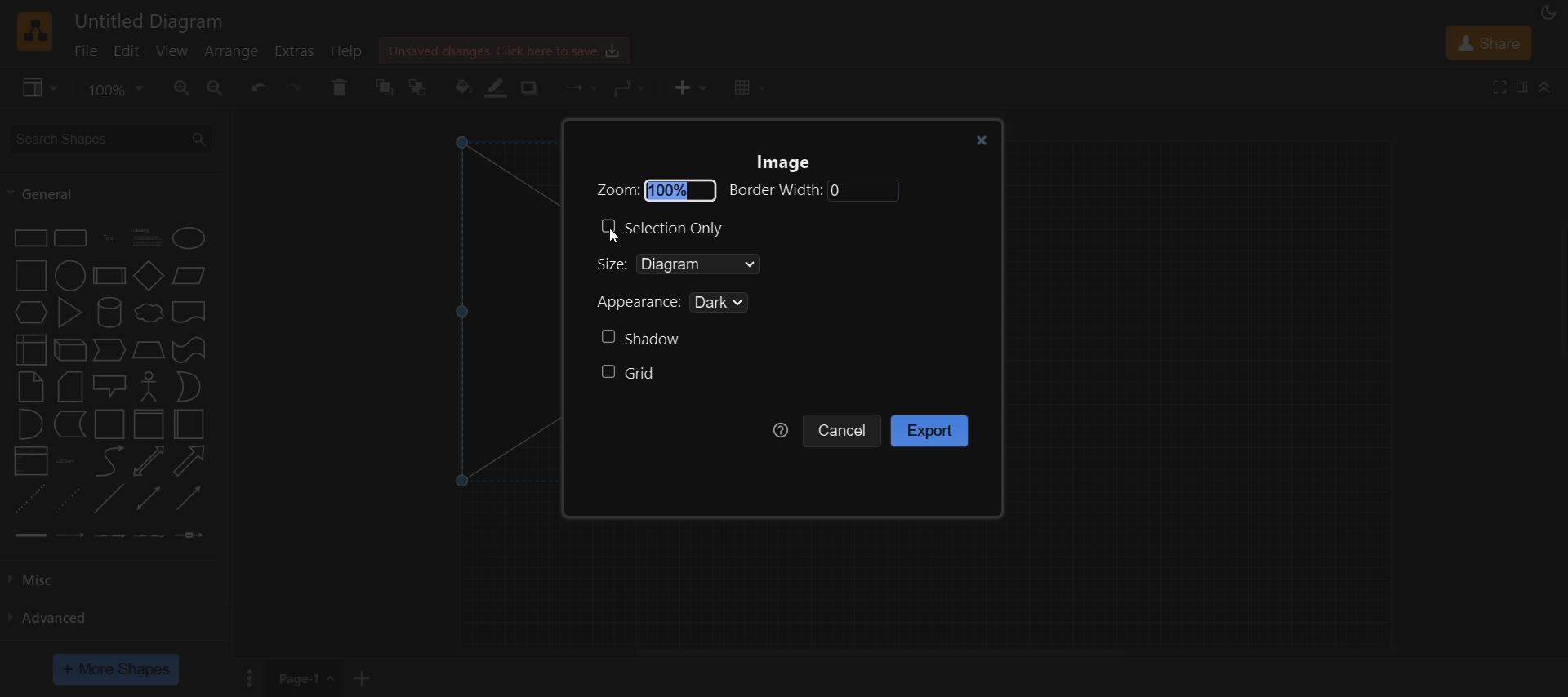 The height and width of the screenshot is (697, 1568). I want to click on grid, so click(630, 375).